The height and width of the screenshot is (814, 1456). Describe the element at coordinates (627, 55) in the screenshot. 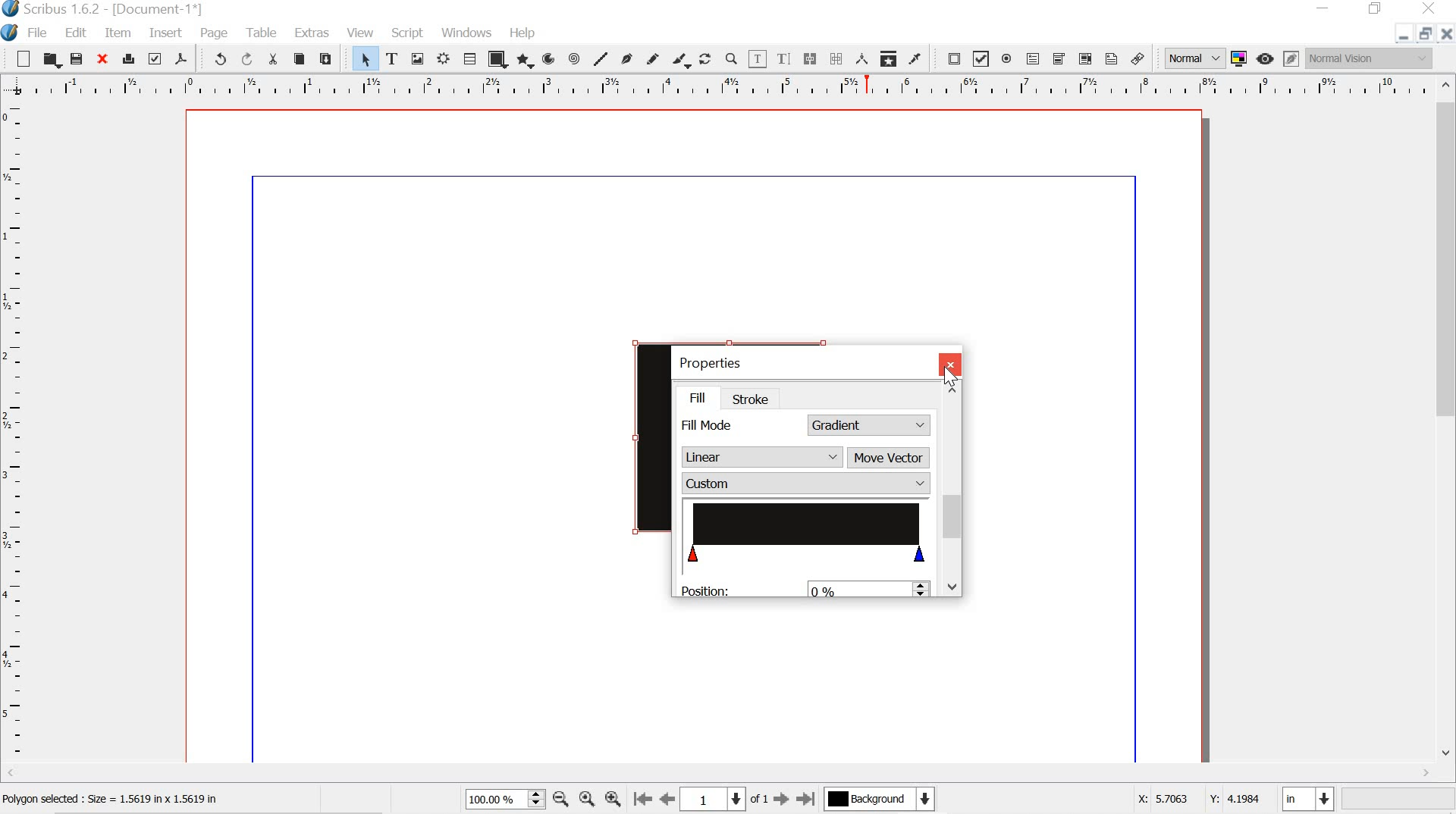

I see `bezier curve` at that location.